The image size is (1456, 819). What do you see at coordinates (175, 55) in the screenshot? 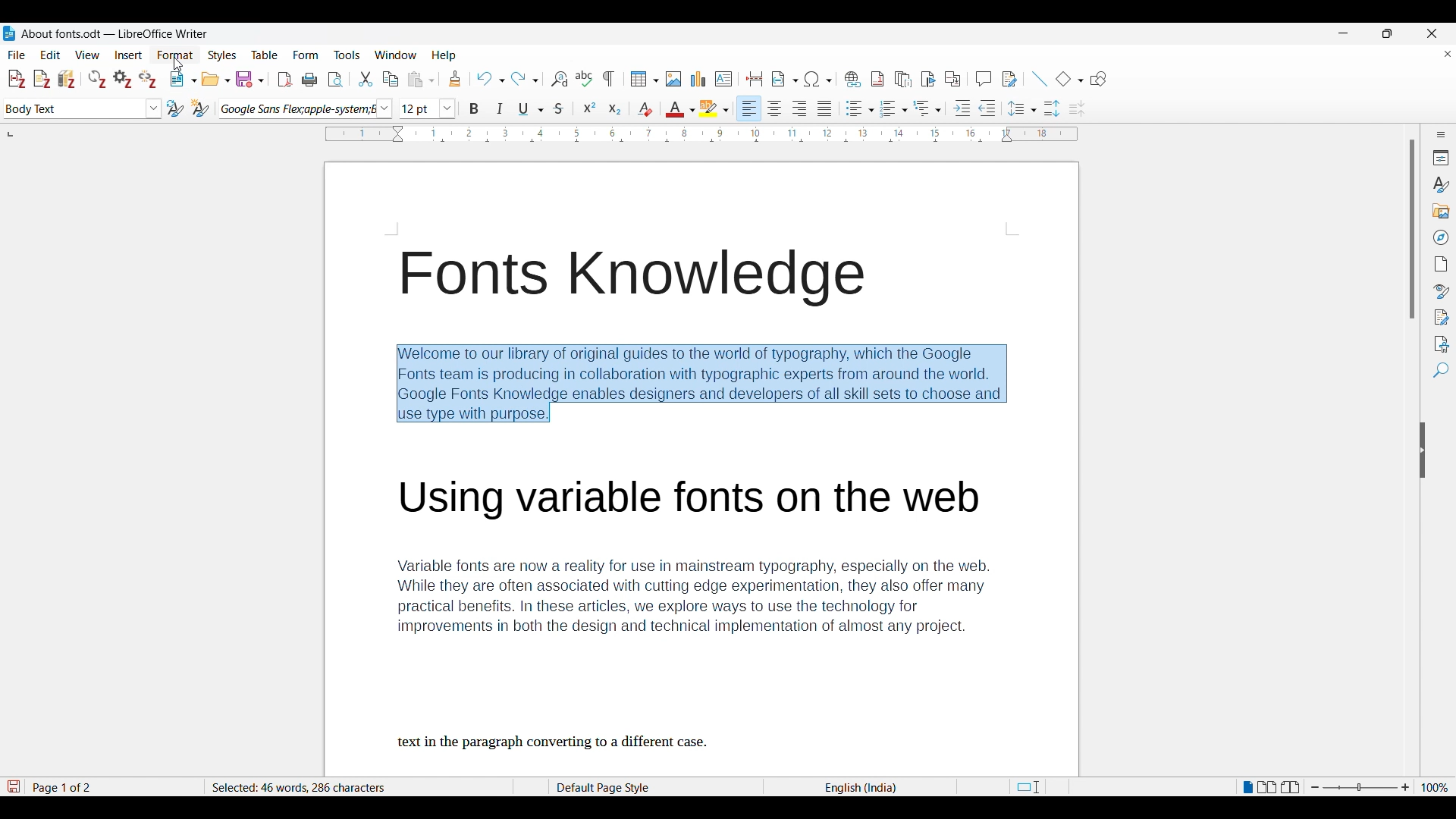
I see `Format menu` at bounding box center [175, 55].